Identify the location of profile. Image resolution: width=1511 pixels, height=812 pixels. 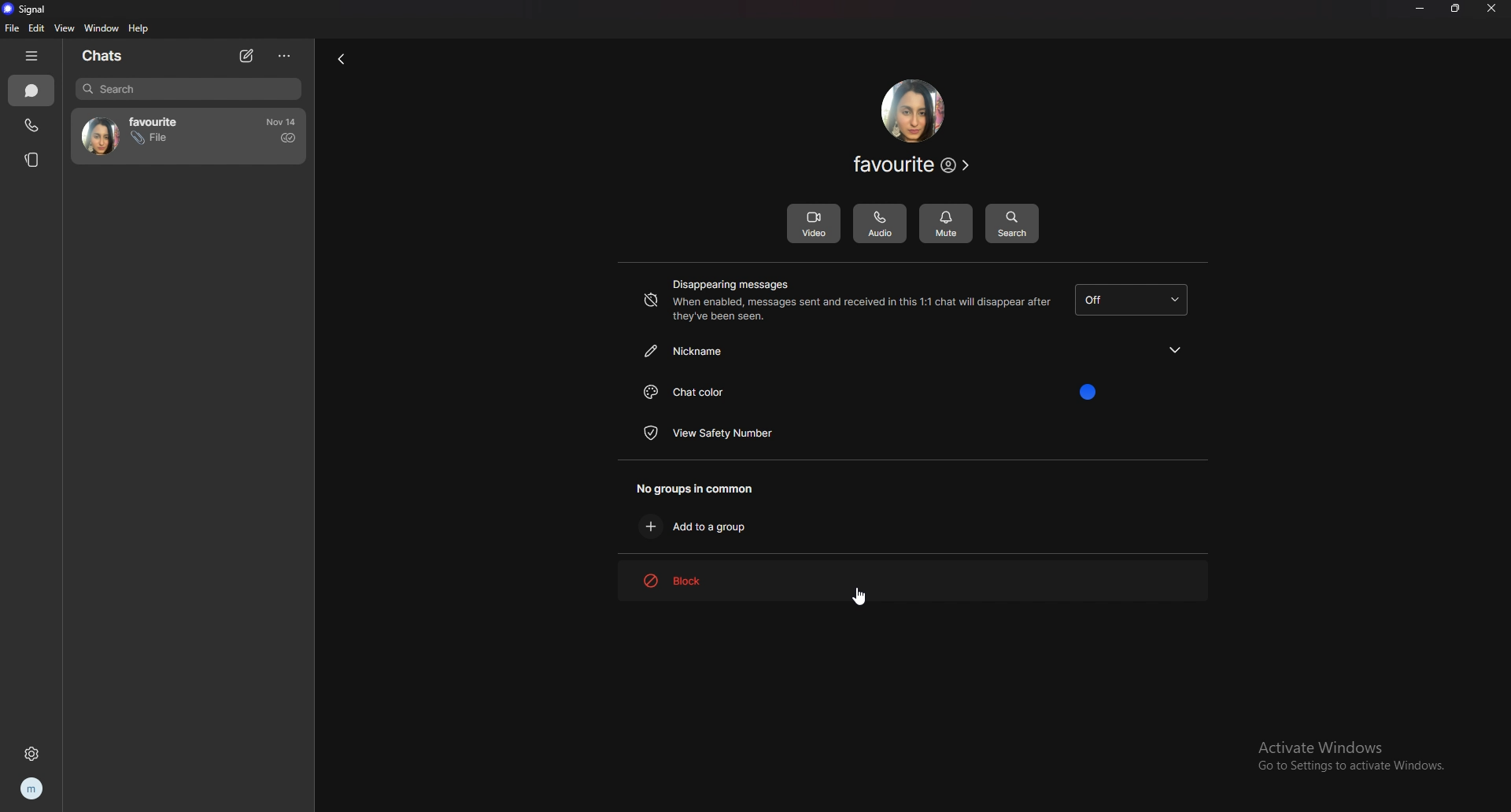
(38, 789).